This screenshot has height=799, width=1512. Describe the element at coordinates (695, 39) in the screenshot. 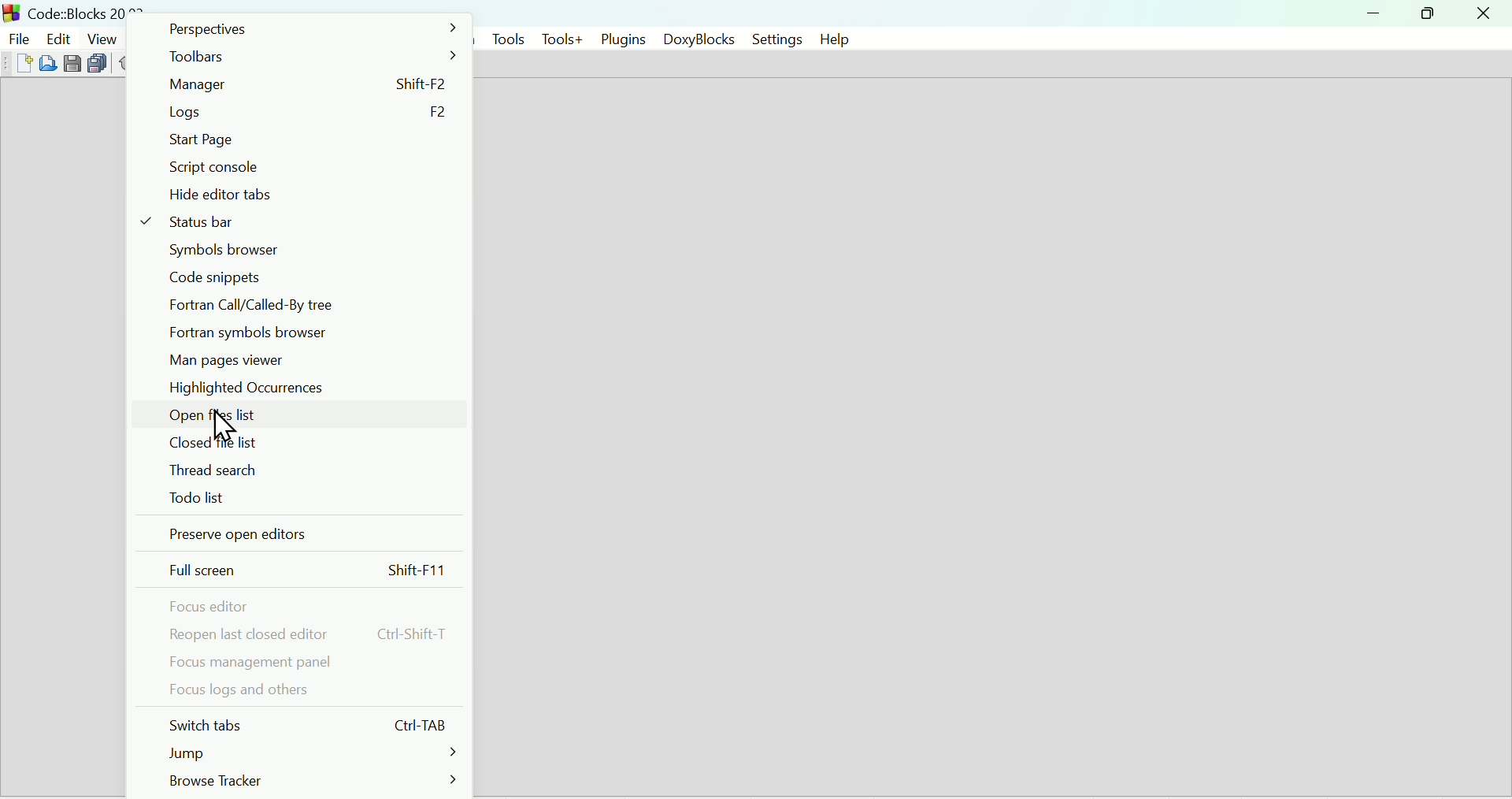

I see `DoxyBlocks` at that location.